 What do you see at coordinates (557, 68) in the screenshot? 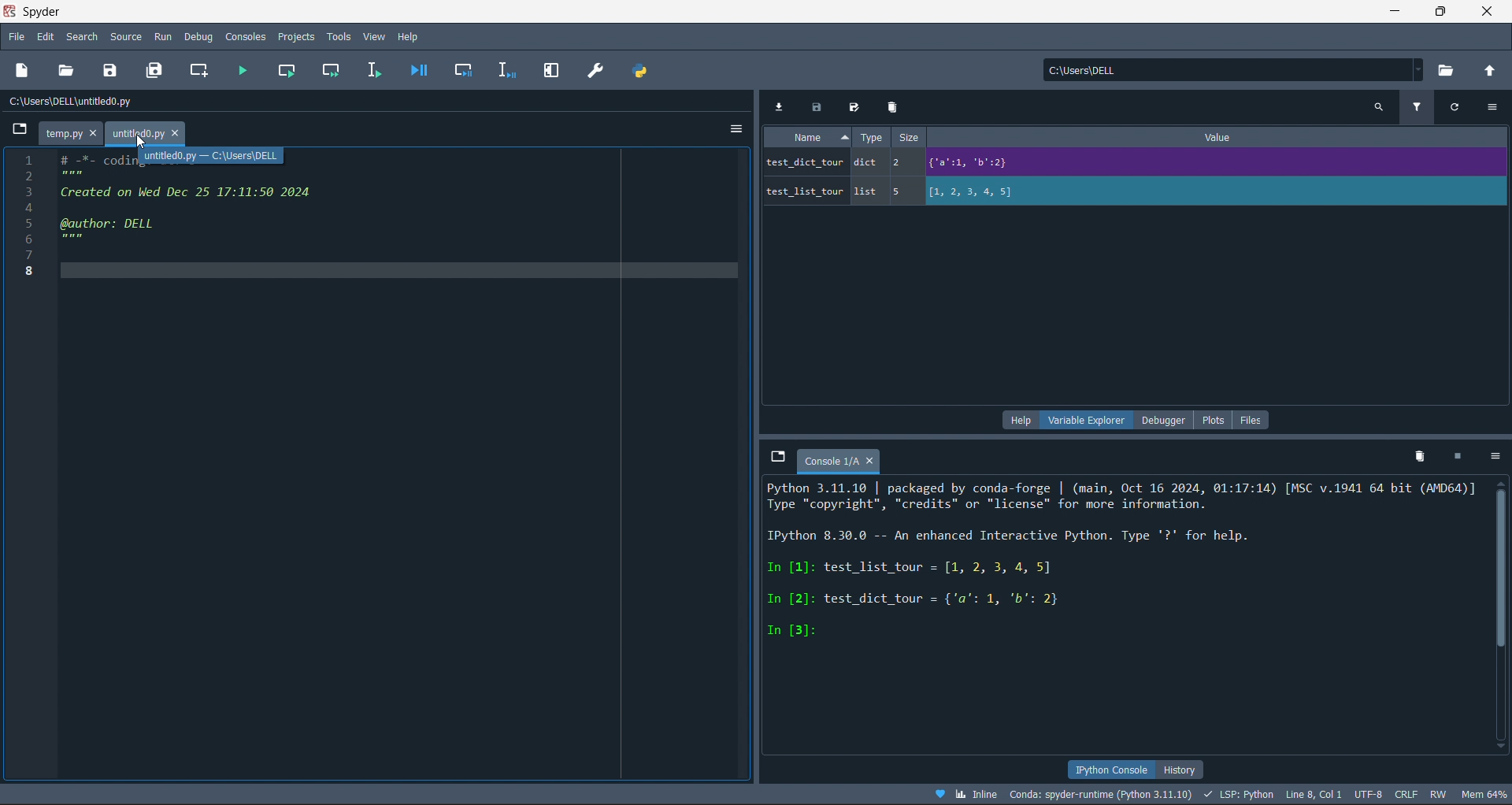
I see `maximize current pane` at bounding box center [557, 68].